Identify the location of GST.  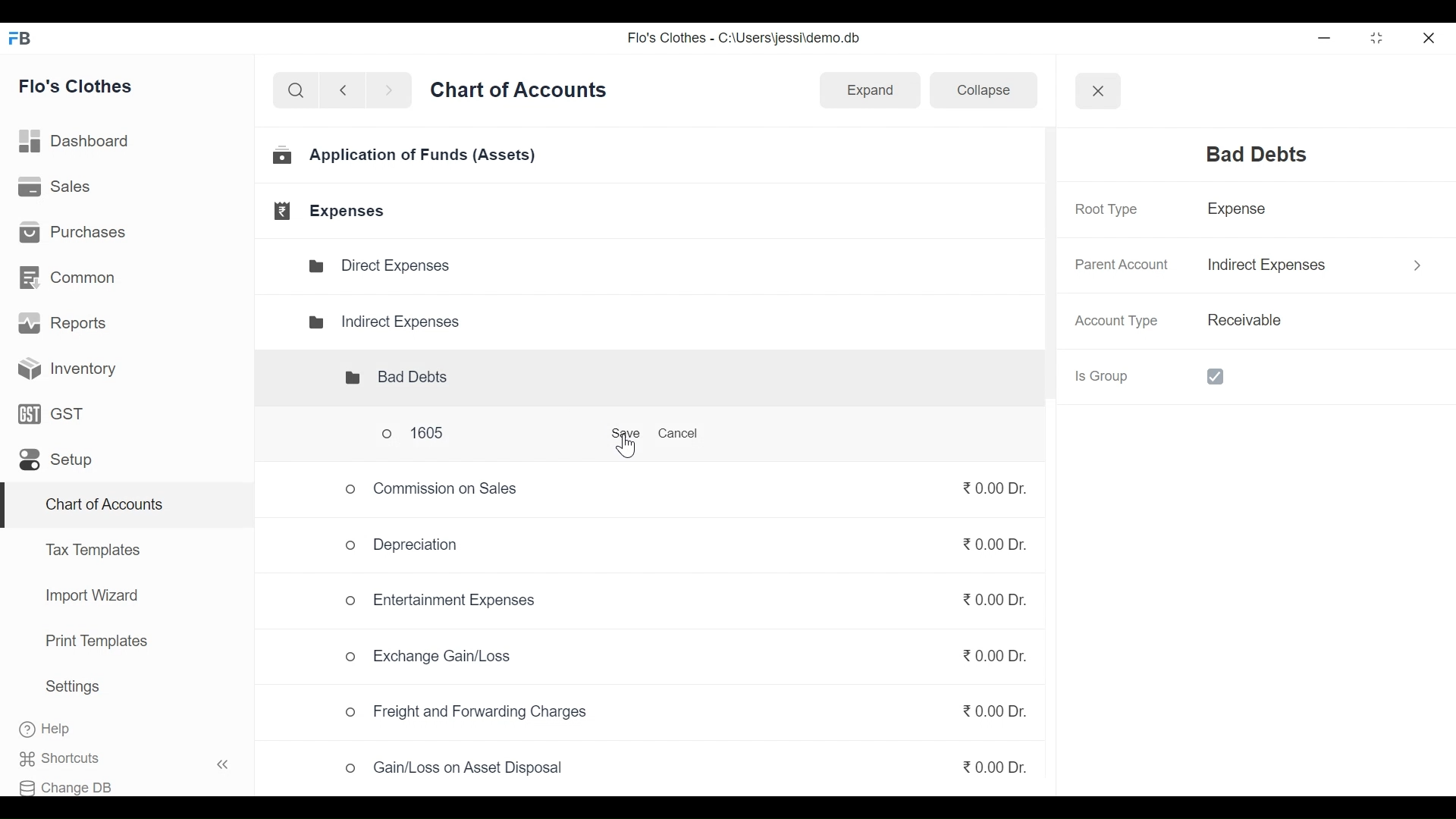
(52, 416).